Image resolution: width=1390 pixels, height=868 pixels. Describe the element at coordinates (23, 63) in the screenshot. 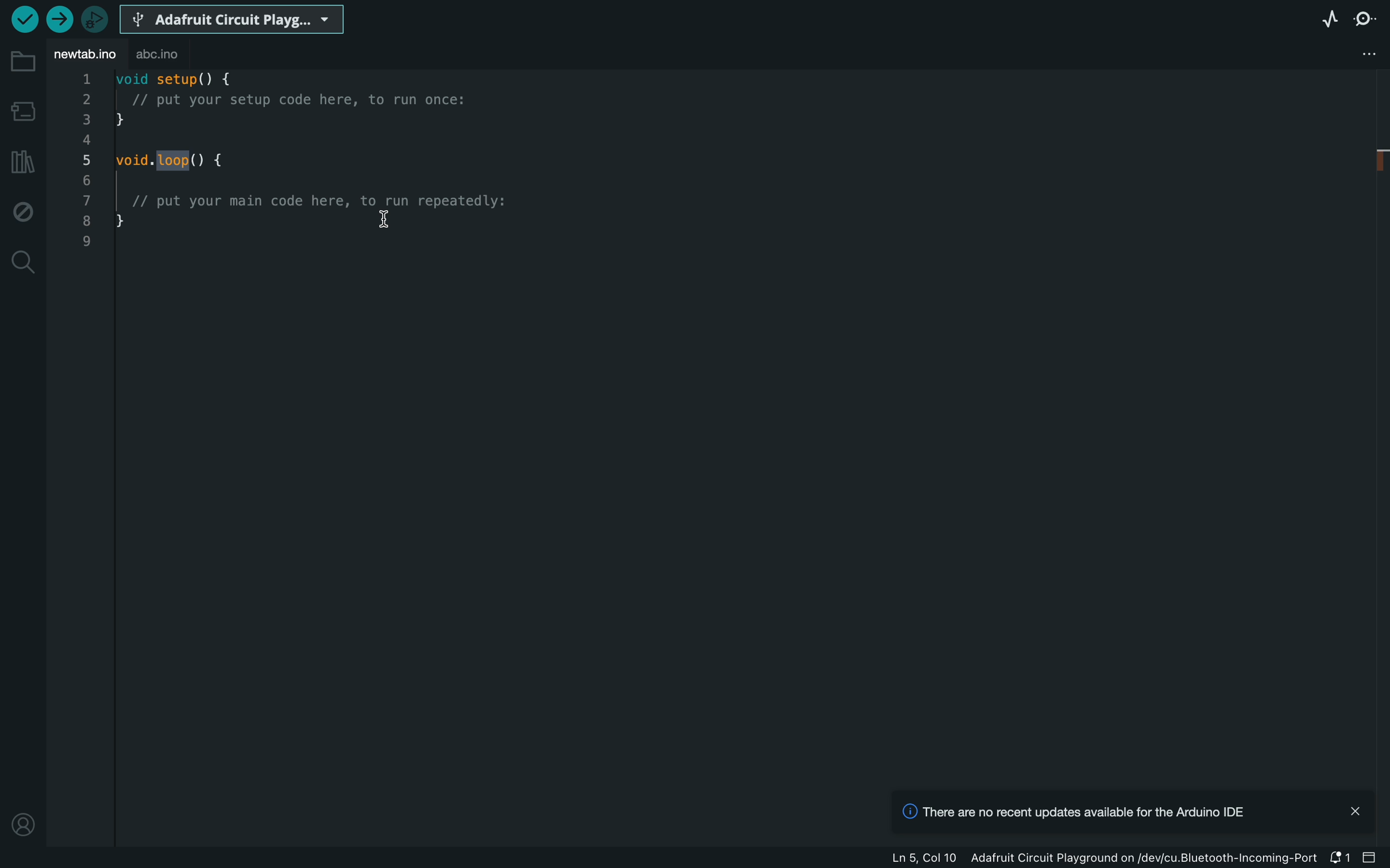

I see `folder` at that location.